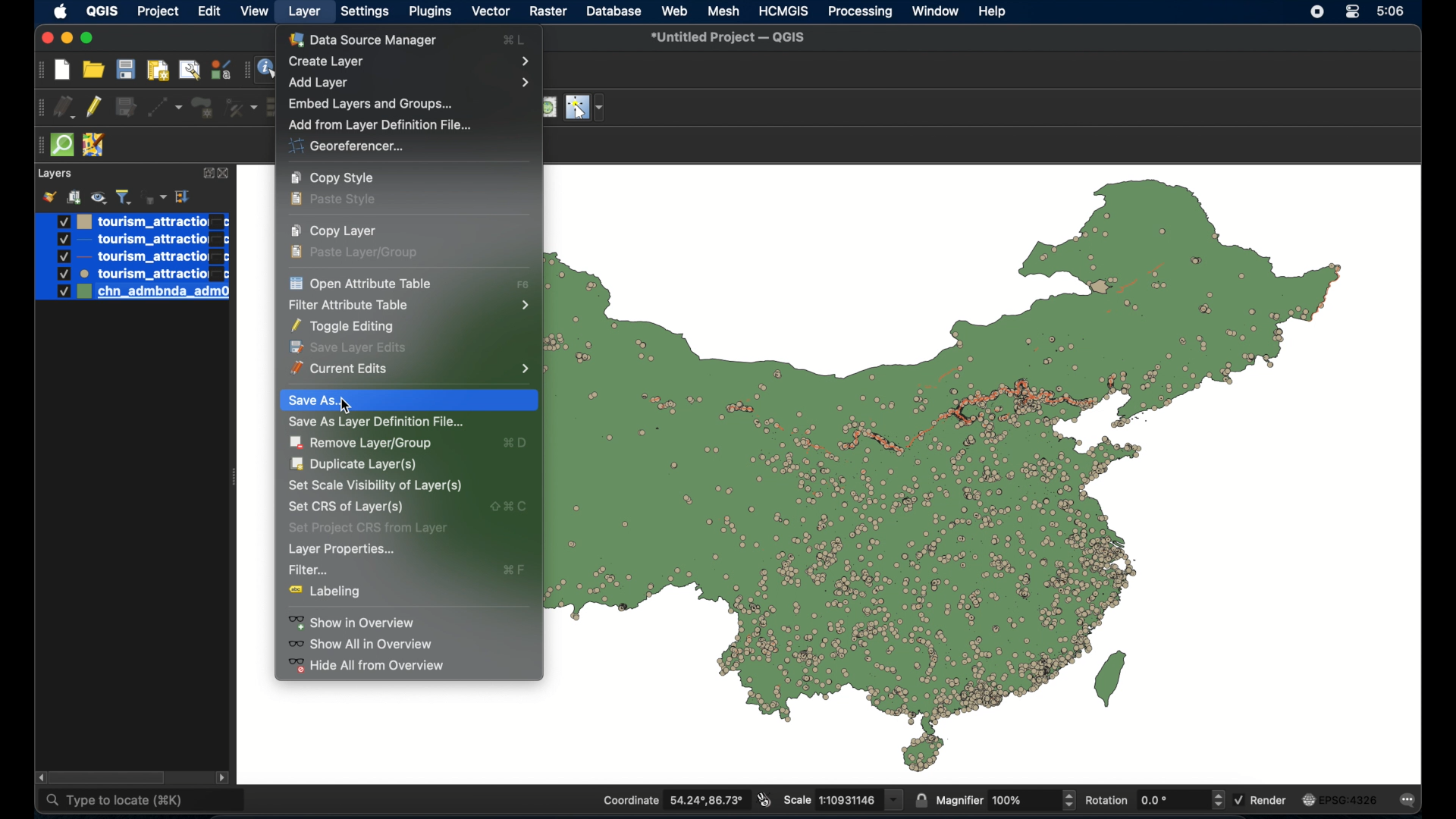  Describe the element at coordinates (1319, 11) in the screenshot. I see `screen recorder` at that location.